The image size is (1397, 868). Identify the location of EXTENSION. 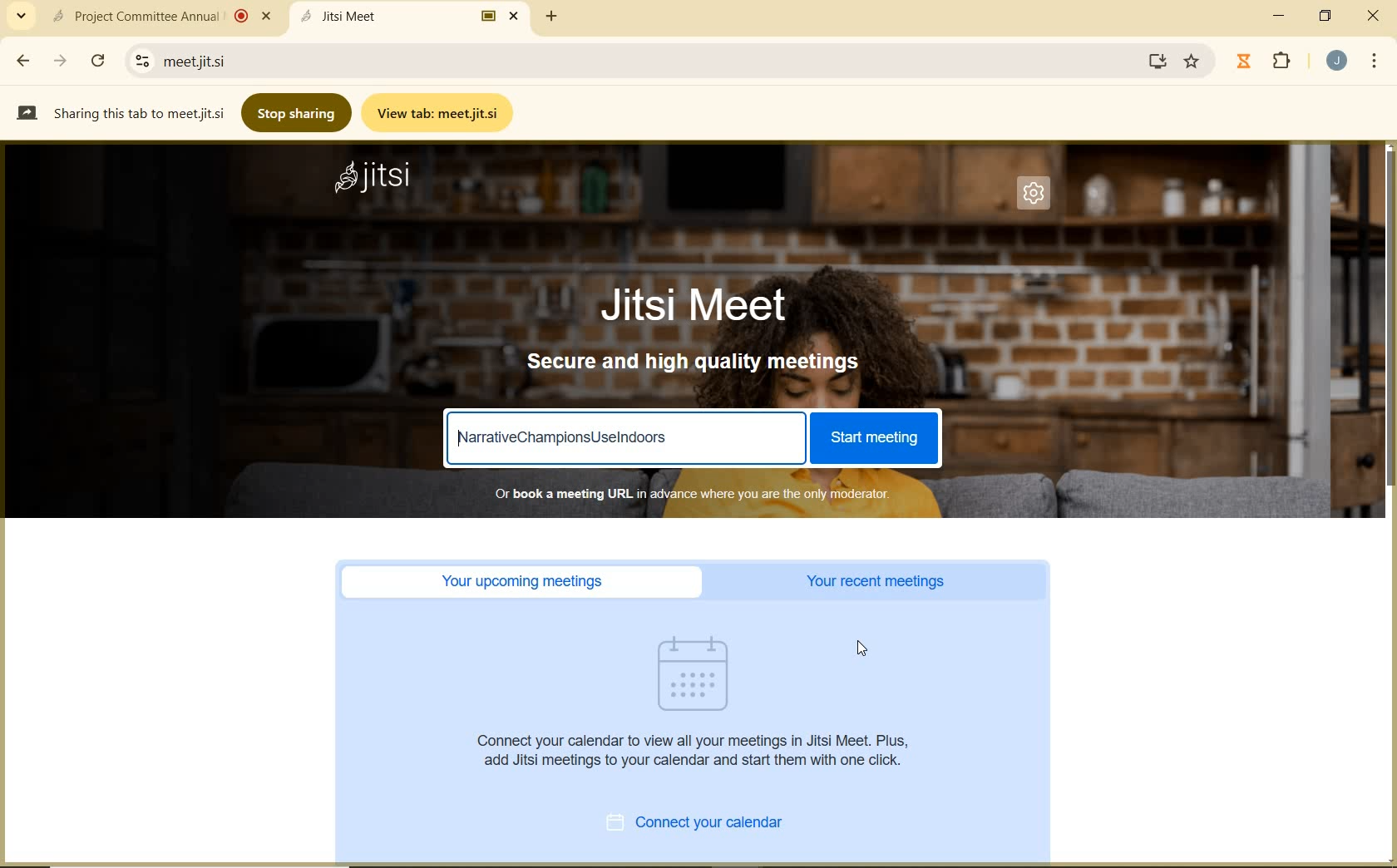
(1267, 62).